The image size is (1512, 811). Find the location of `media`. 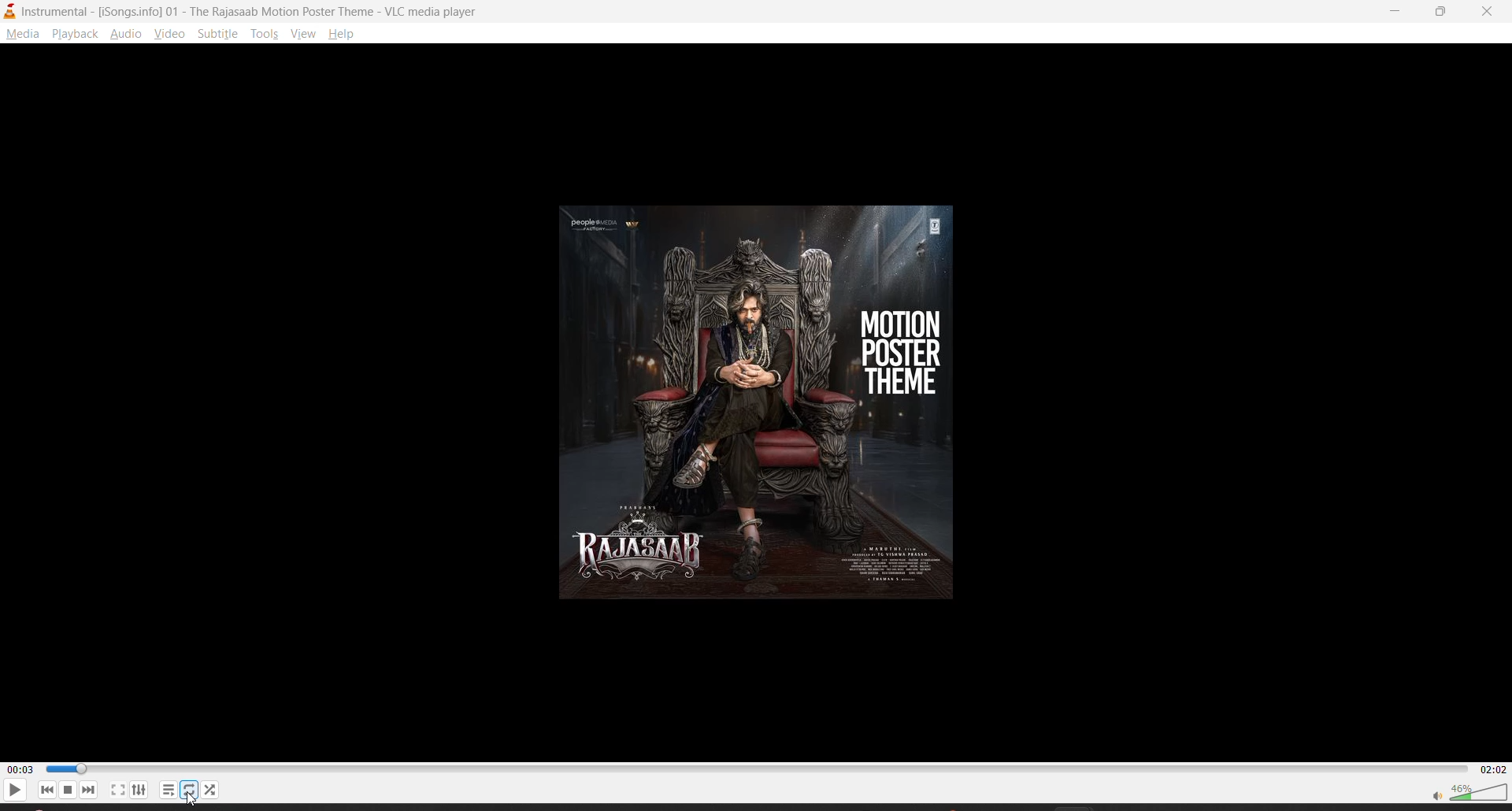

media is located at coordinates (23, 33).